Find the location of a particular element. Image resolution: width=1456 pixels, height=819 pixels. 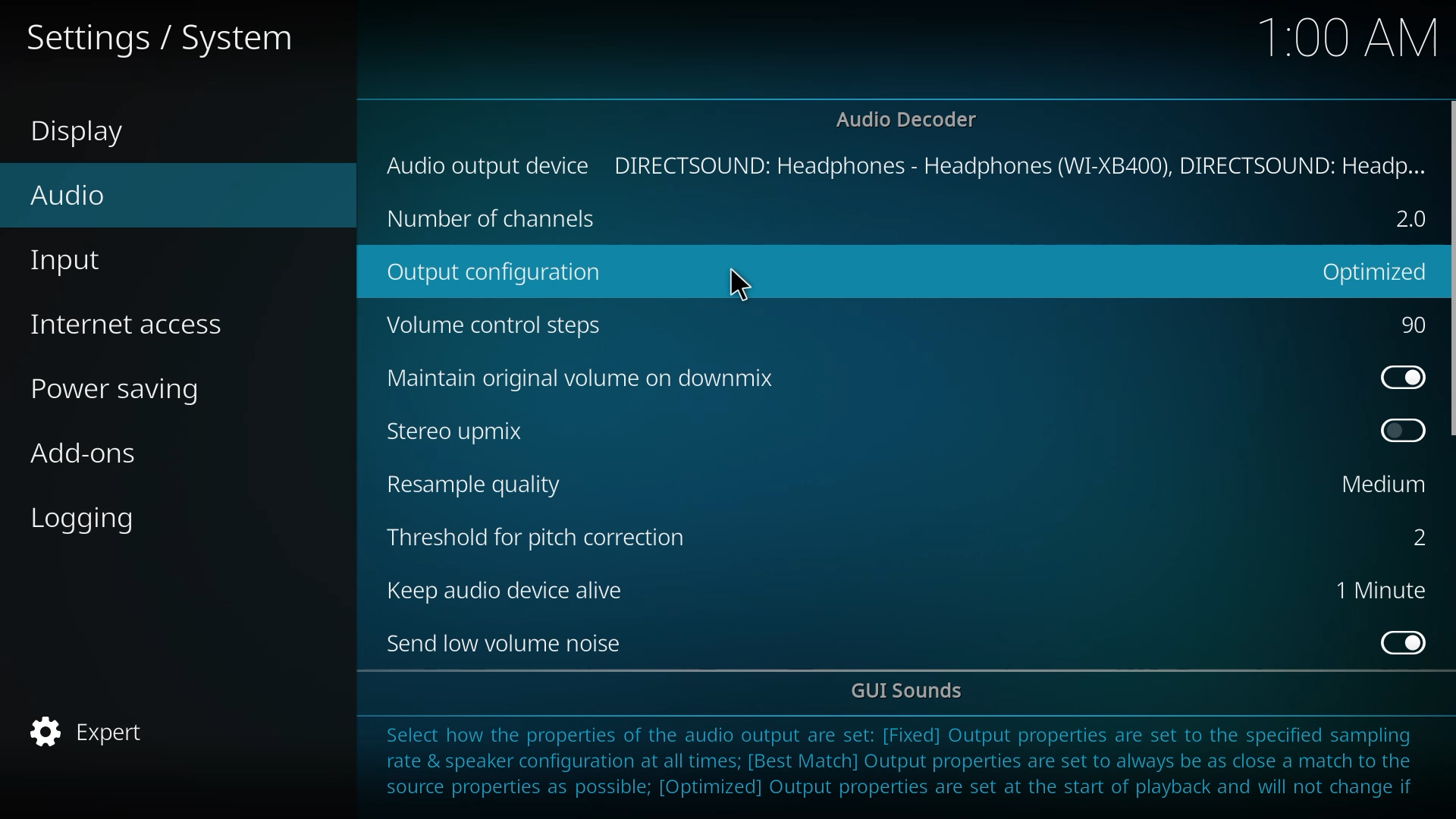

decoder is located at coordinates (902, 117).